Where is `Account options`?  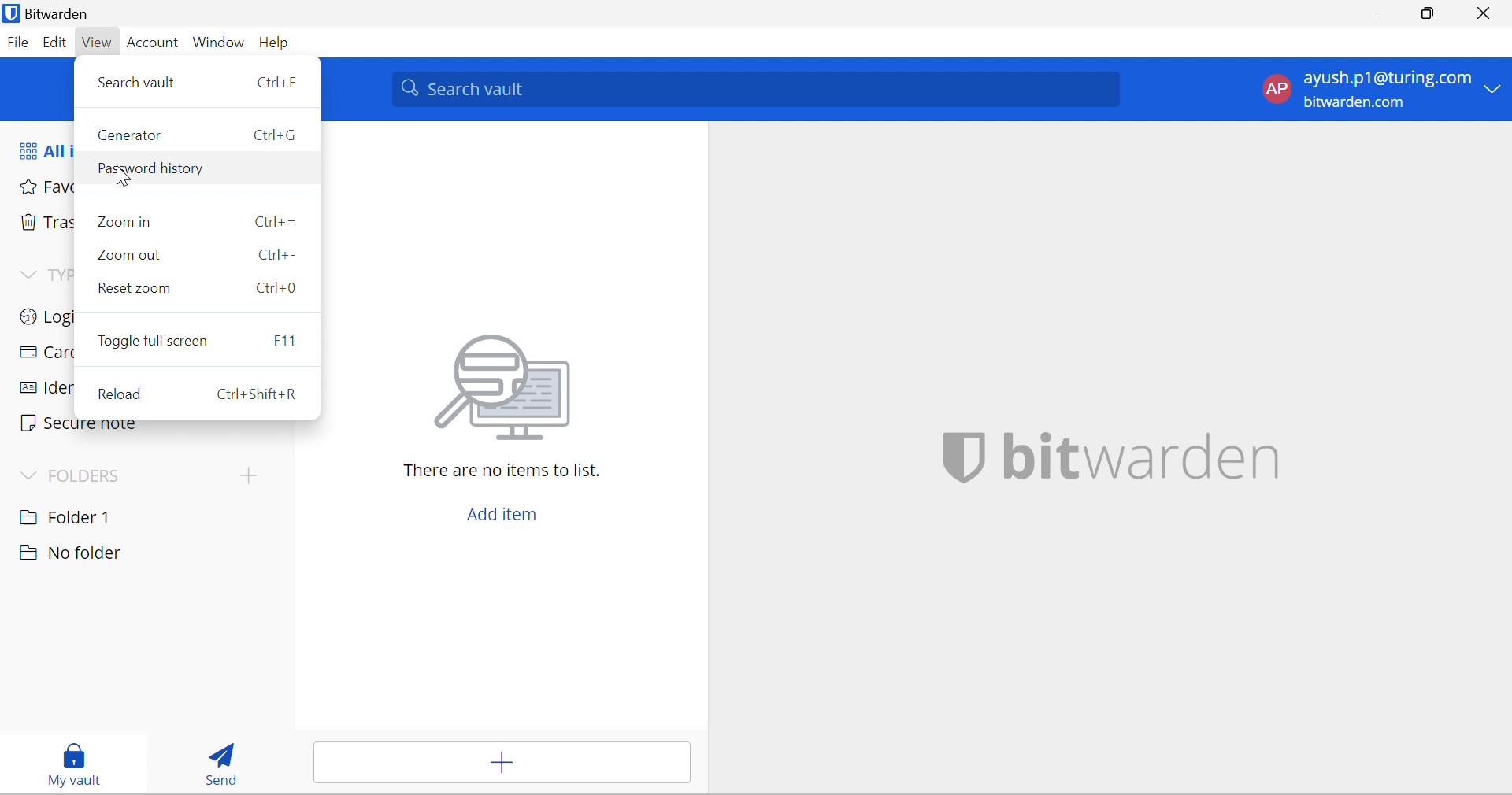 Account options is located at coordinates (1379, 87).